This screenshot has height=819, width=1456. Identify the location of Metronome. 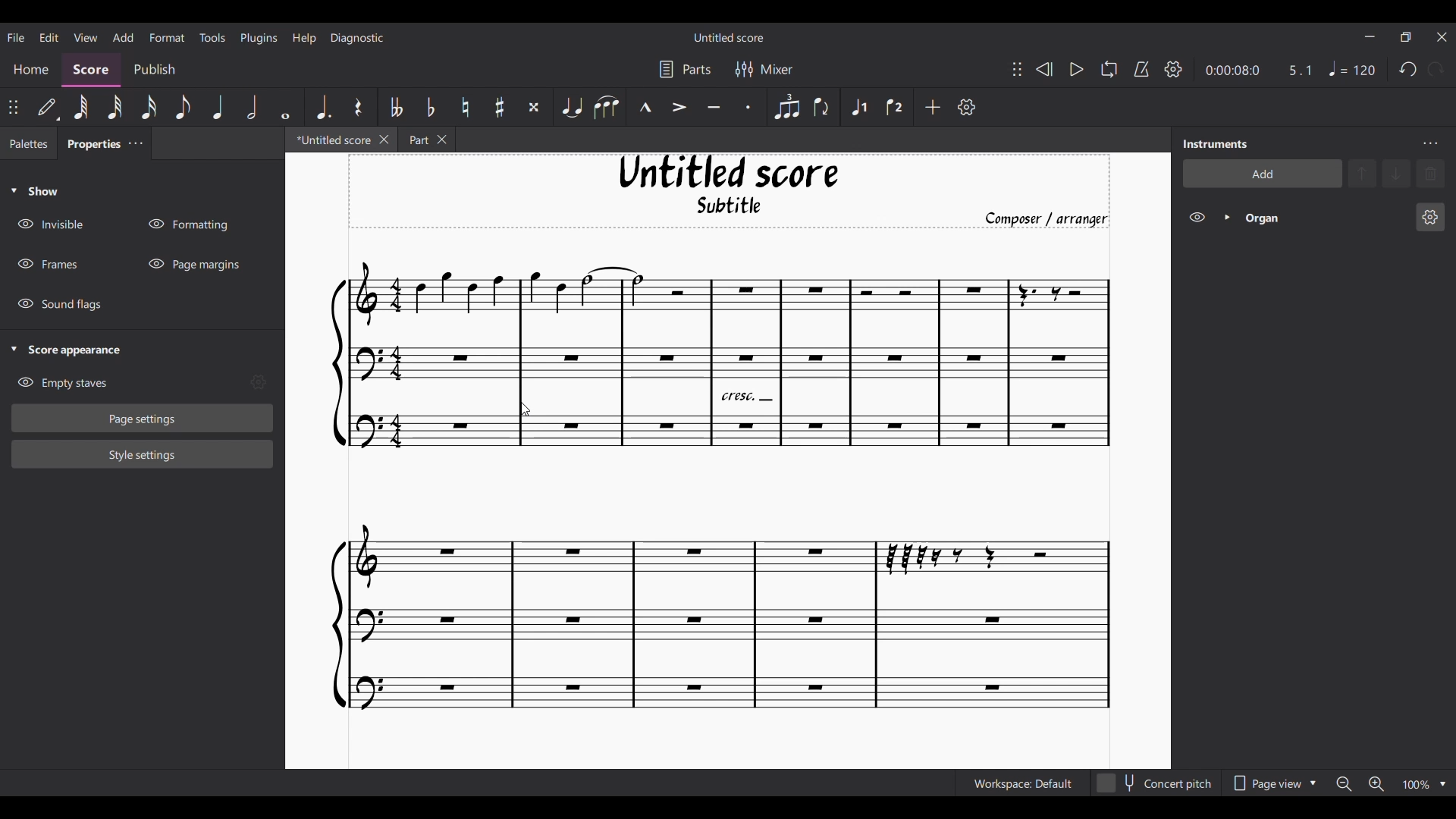
(1141, 69).